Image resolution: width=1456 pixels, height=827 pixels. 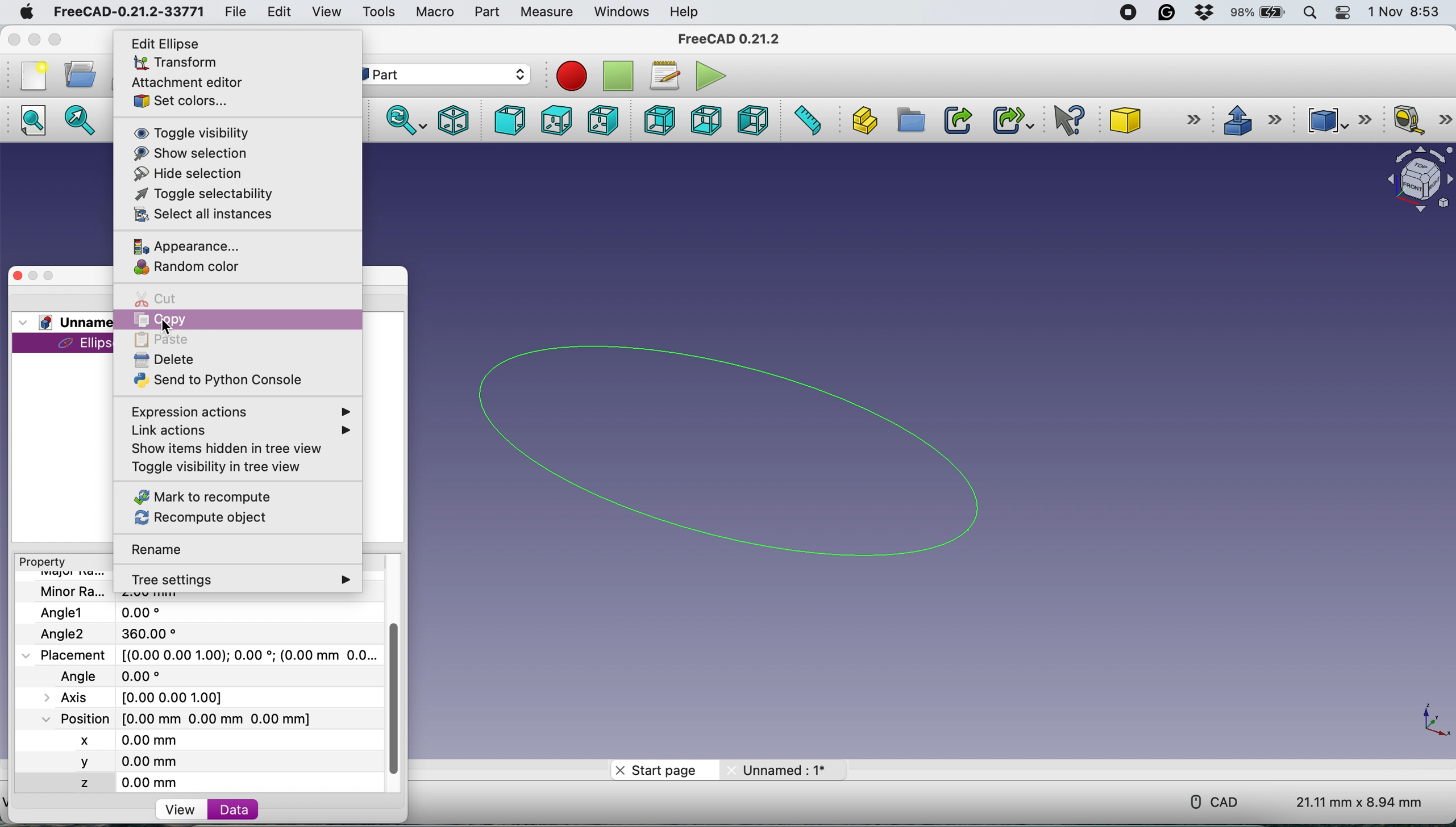 I want to click on bottom, so click(x=705, y=121).